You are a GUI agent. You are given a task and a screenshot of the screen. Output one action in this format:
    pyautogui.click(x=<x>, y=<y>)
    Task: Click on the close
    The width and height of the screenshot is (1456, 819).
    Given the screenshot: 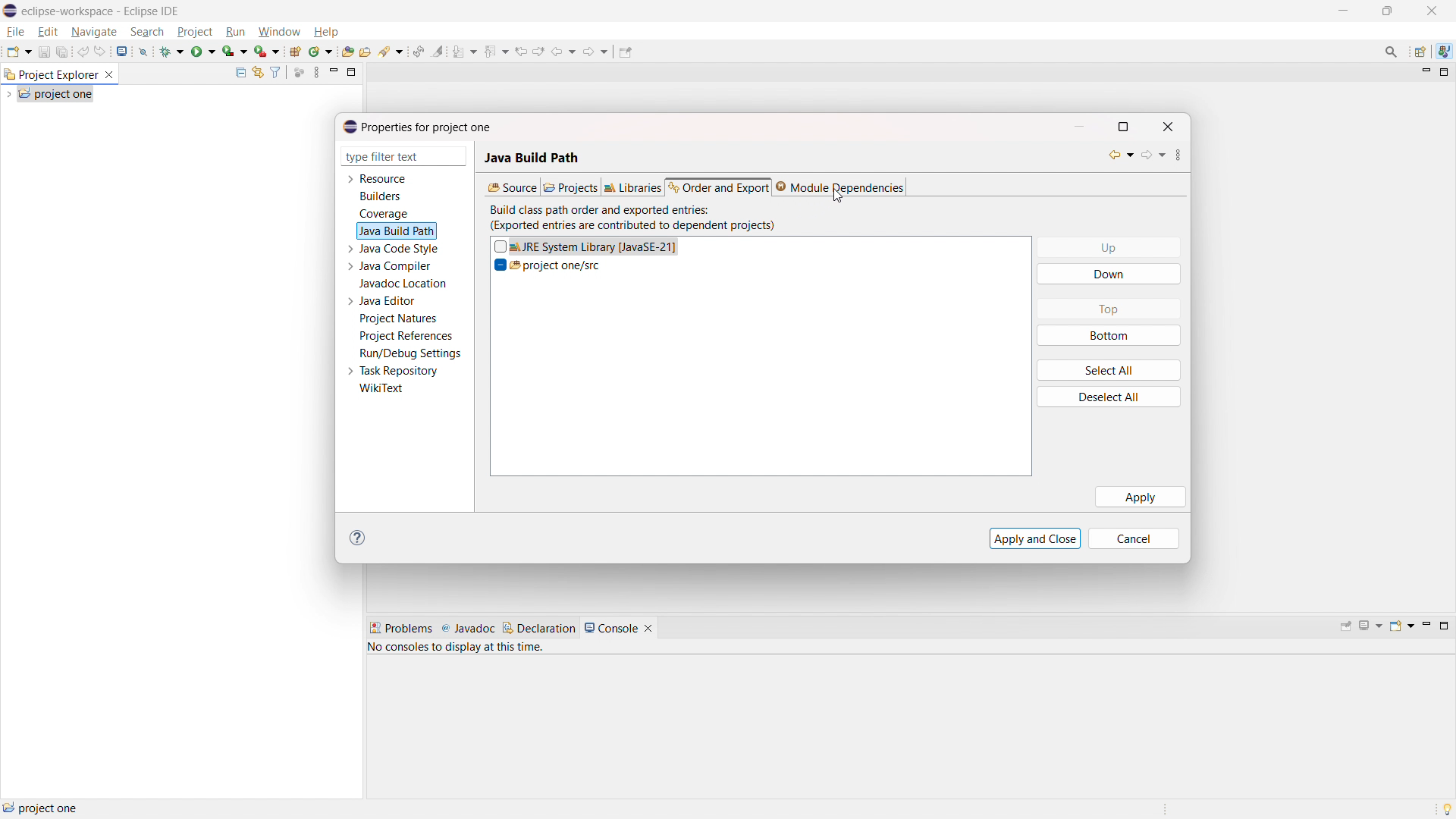 What is the action you would take?
    pyautogui.click(x=1432, y=11)
    